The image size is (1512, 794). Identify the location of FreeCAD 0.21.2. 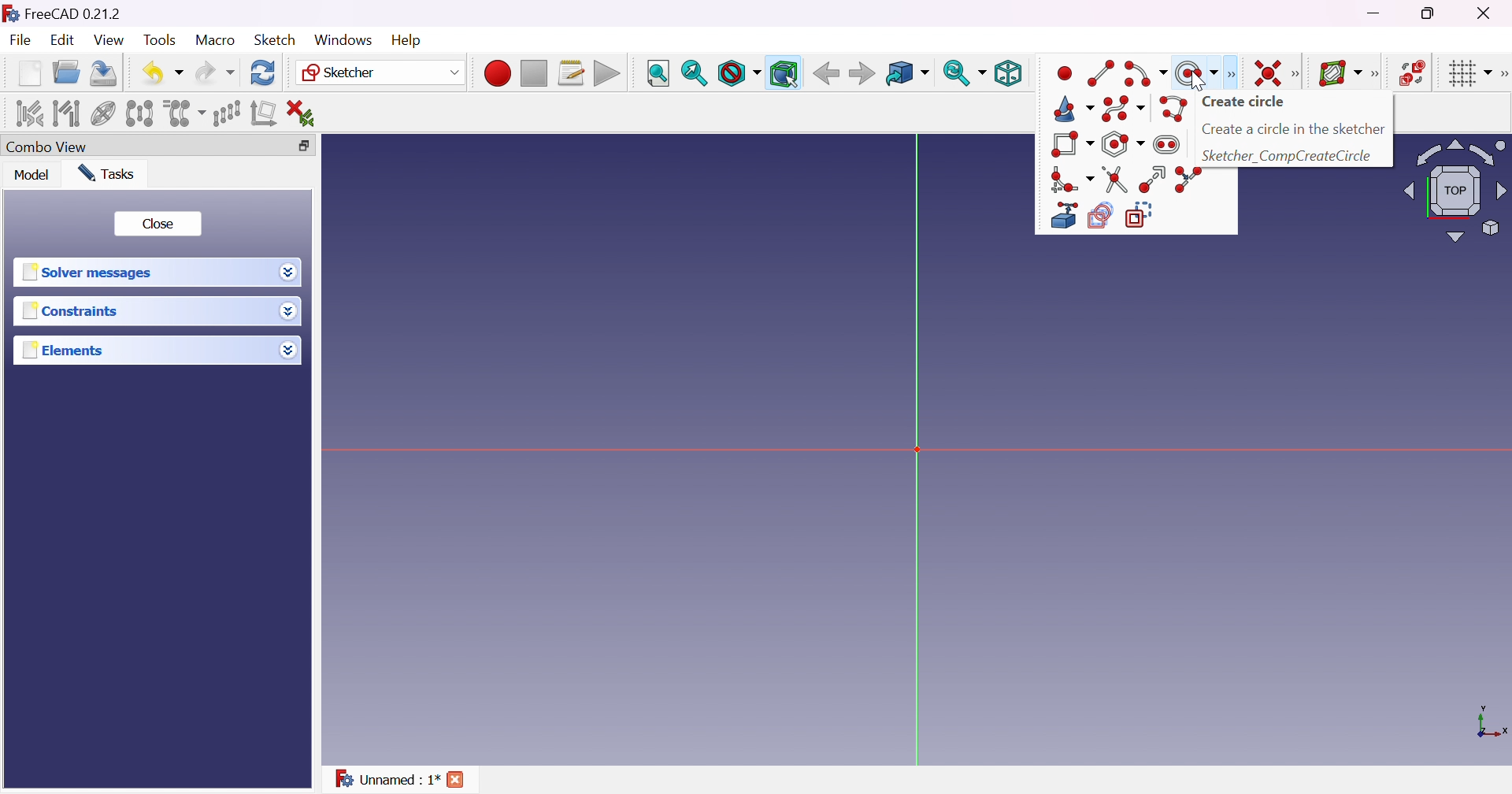
(74, 13).